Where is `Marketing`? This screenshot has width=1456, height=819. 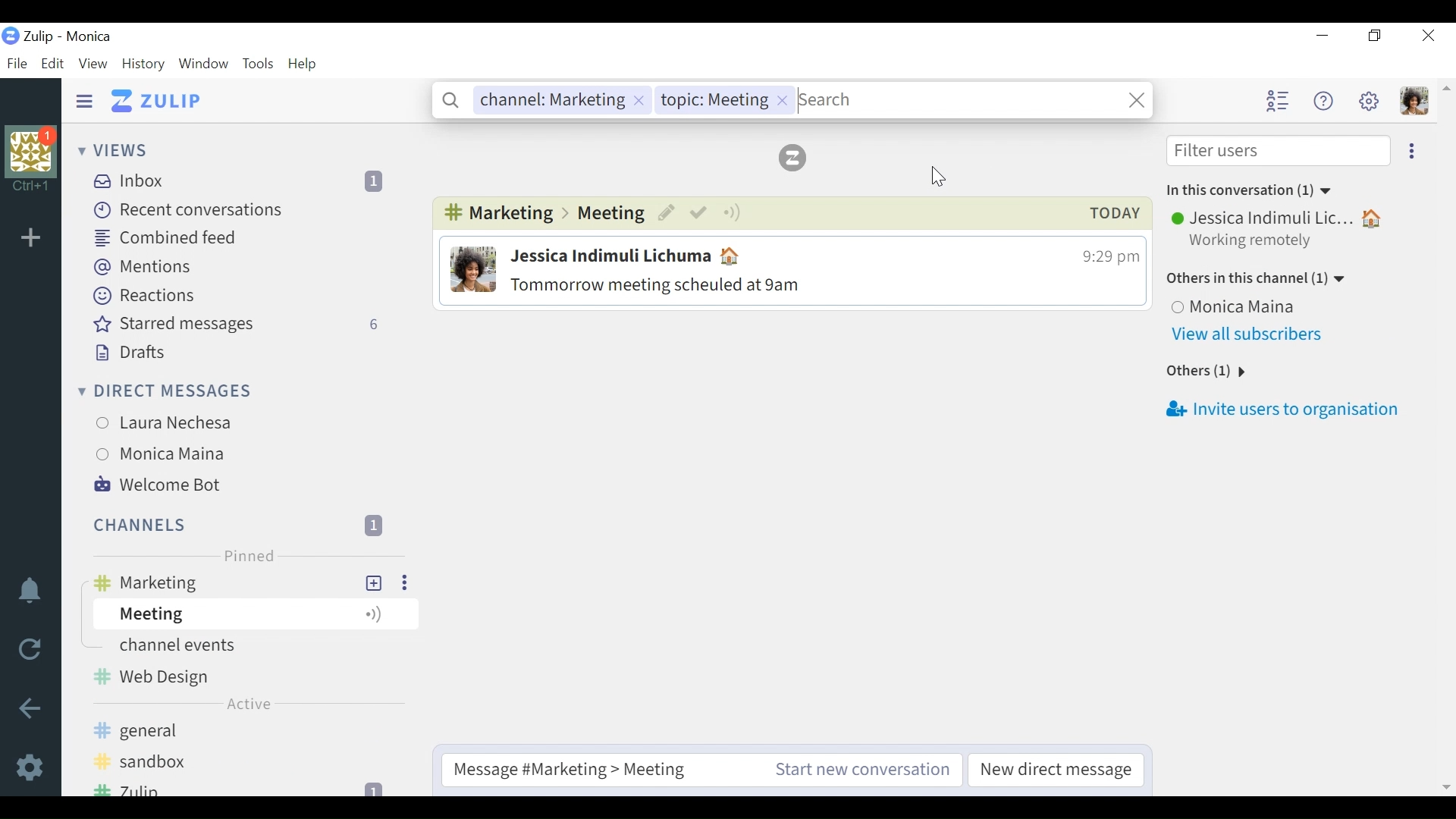 Marketing is located at coordinates (497, 214).